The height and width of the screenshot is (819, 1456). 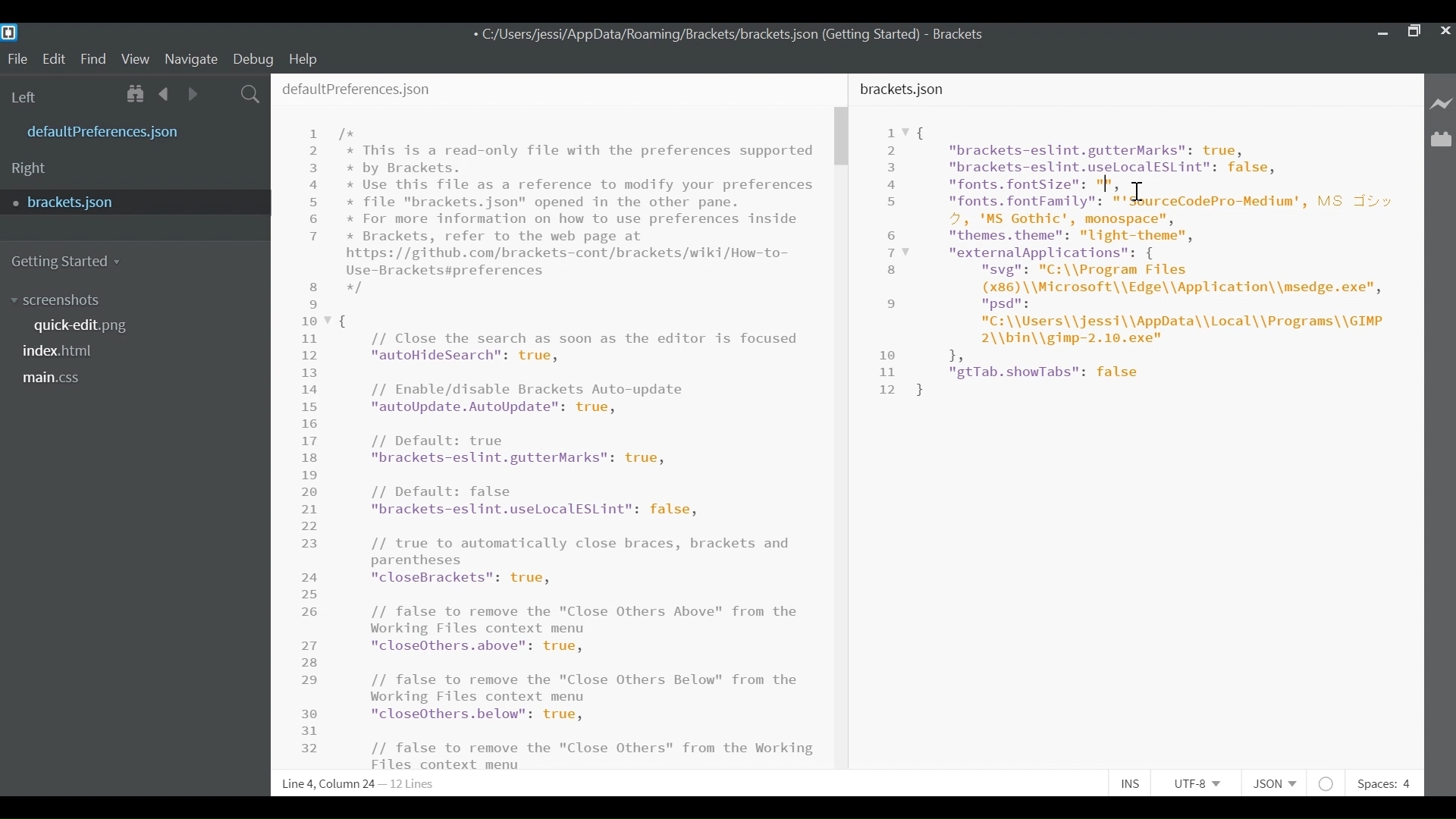 What do you see at coordinates (304, 58) in the screenshot?
I see `Help` at bounding box center [304, 58].